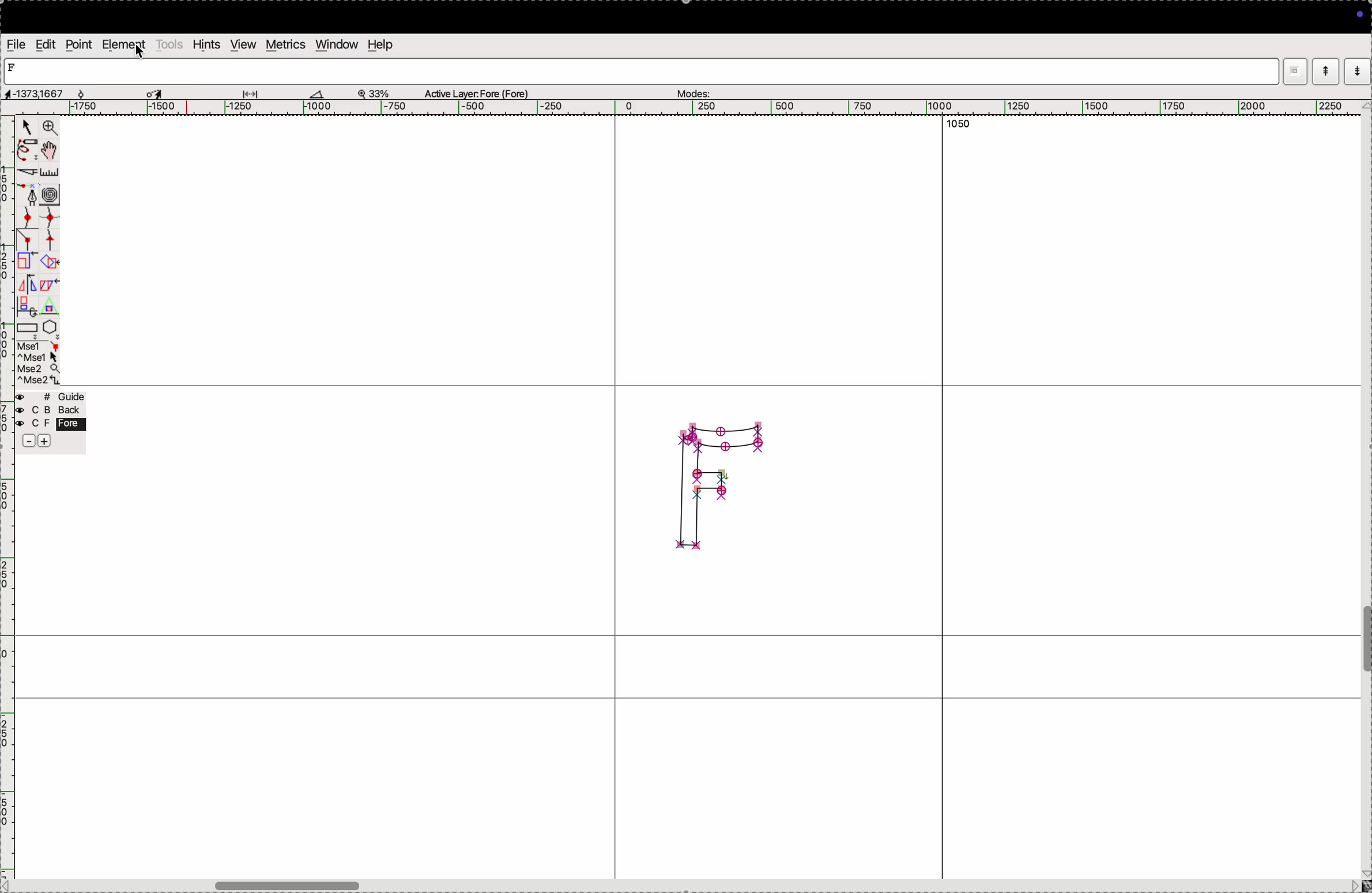  Describe the element at coordinates (169, 44) in the screenshot. I see `tools` at that location.